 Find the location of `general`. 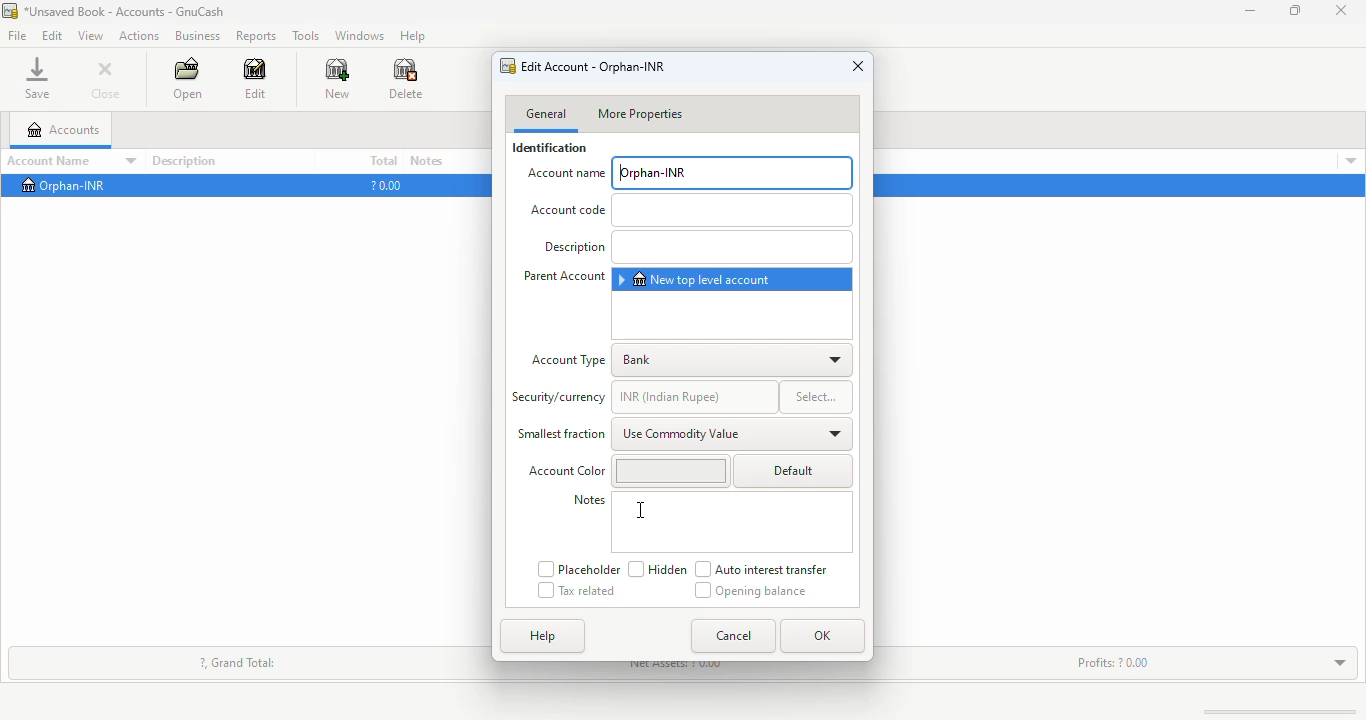

general is located at coordinates (546, 115).